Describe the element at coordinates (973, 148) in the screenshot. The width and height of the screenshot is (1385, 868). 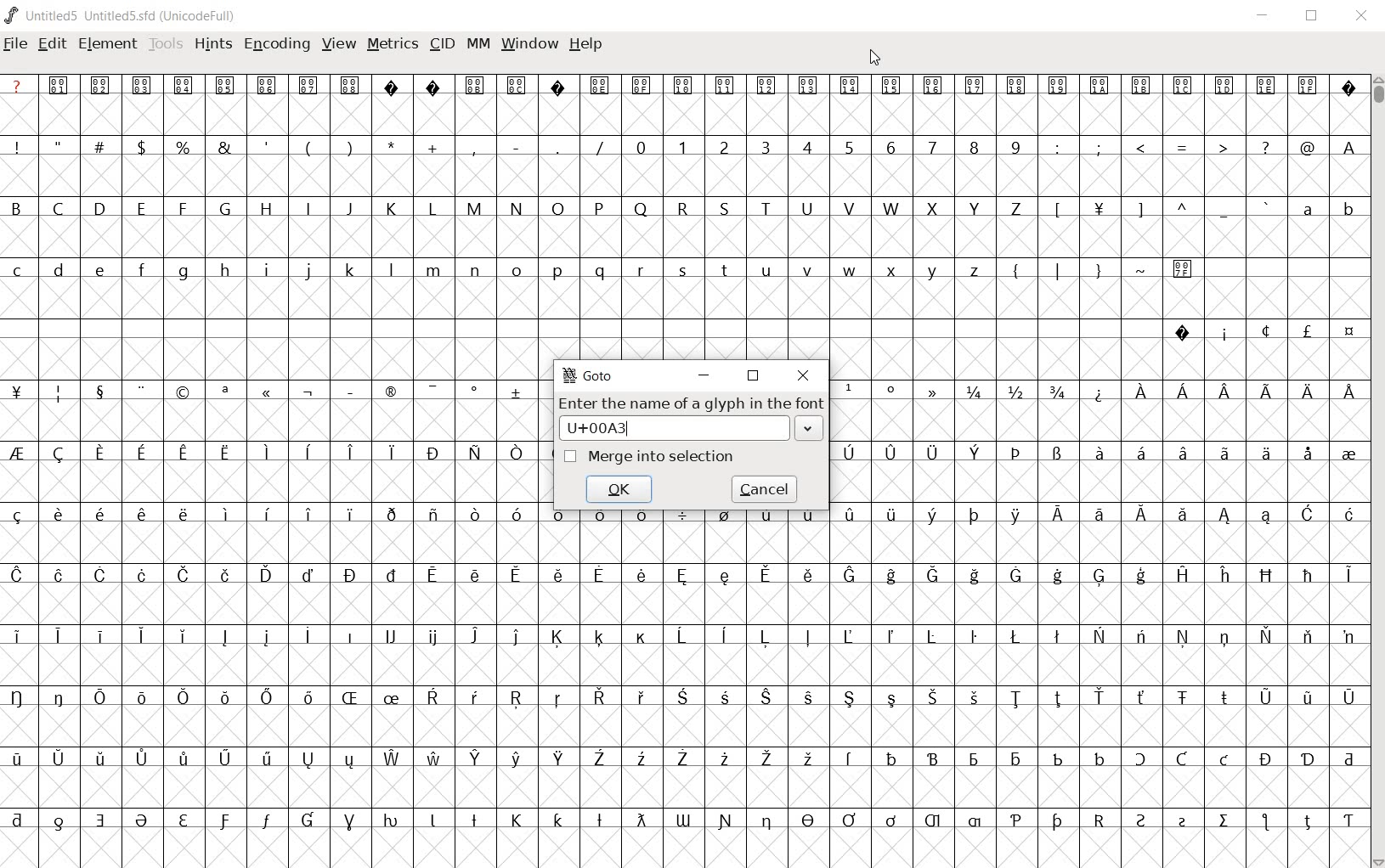
I see `8` at that location.